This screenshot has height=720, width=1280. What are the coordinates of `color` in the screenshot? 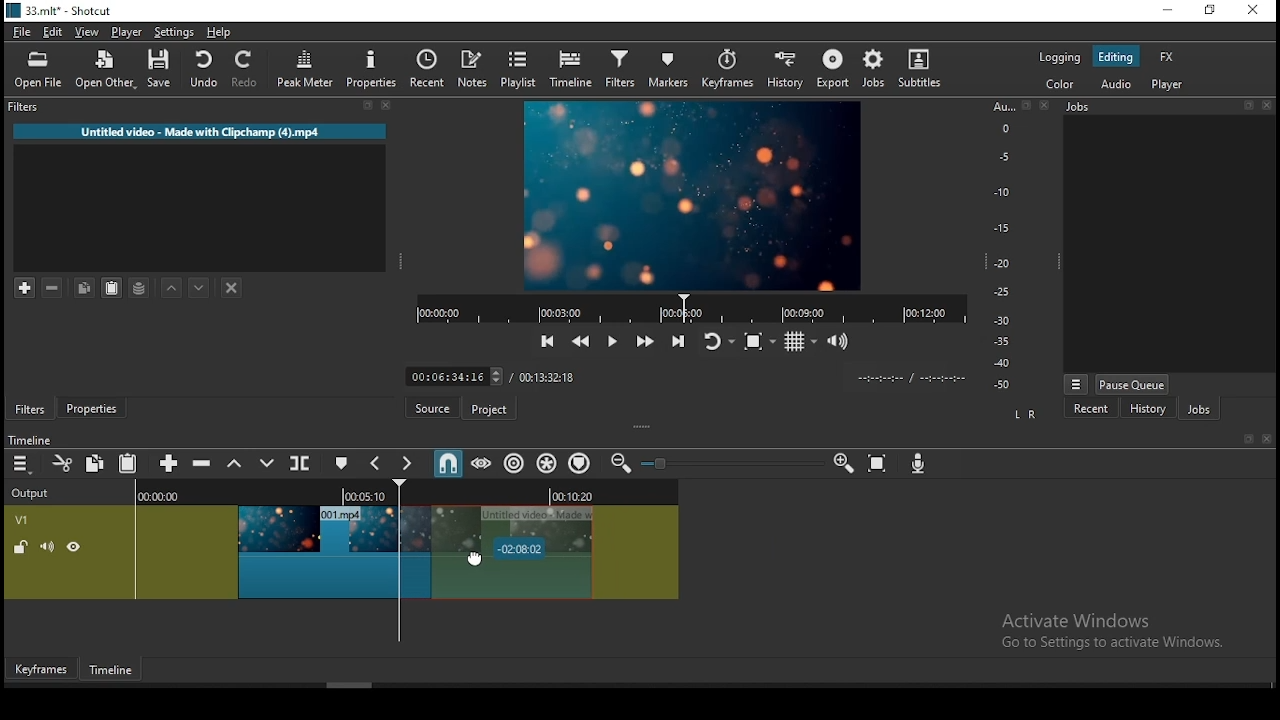 It's located at (1061, 85).